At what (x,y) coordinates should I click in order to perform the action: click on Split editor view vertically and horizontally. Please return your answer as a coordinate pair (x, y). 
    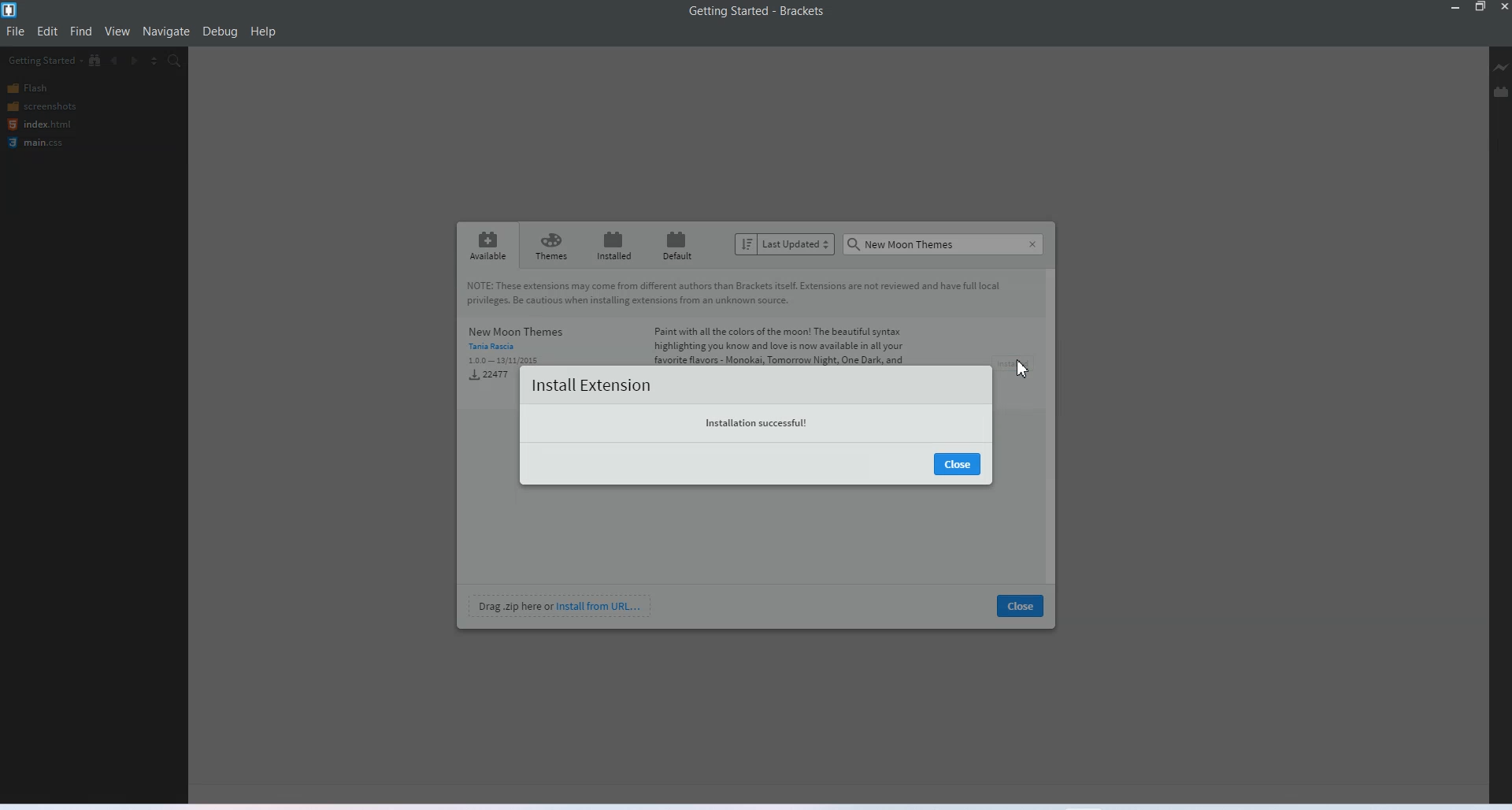
    Looking at the image, I should click on (154, 60).